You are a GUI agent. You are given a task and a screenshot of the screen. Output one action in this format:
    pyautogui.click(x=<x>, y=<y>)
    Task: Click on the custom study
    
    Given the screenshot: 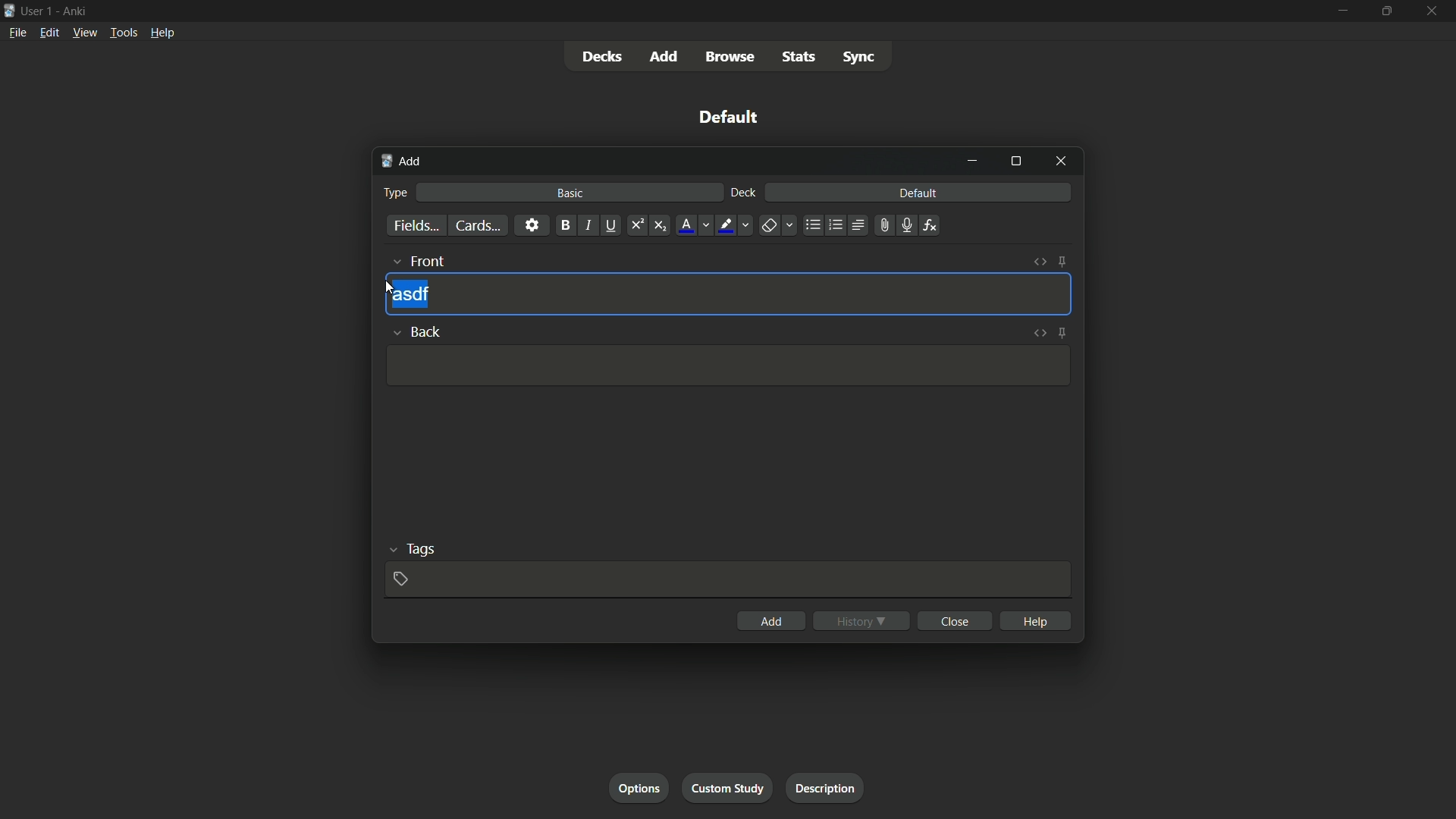 What is the action you would take?
    pyautogui.click(x=726, y=788)
    